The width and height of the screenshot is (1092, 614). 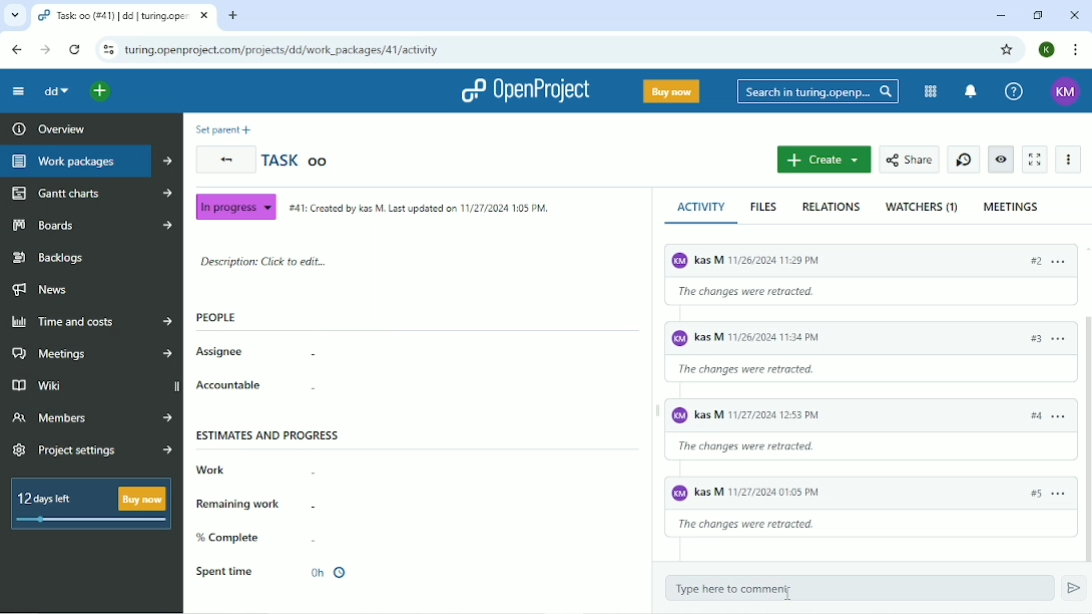 I want to click on KM Kas M 11/26/2024 01:05PM, so click(x=805, y=492).